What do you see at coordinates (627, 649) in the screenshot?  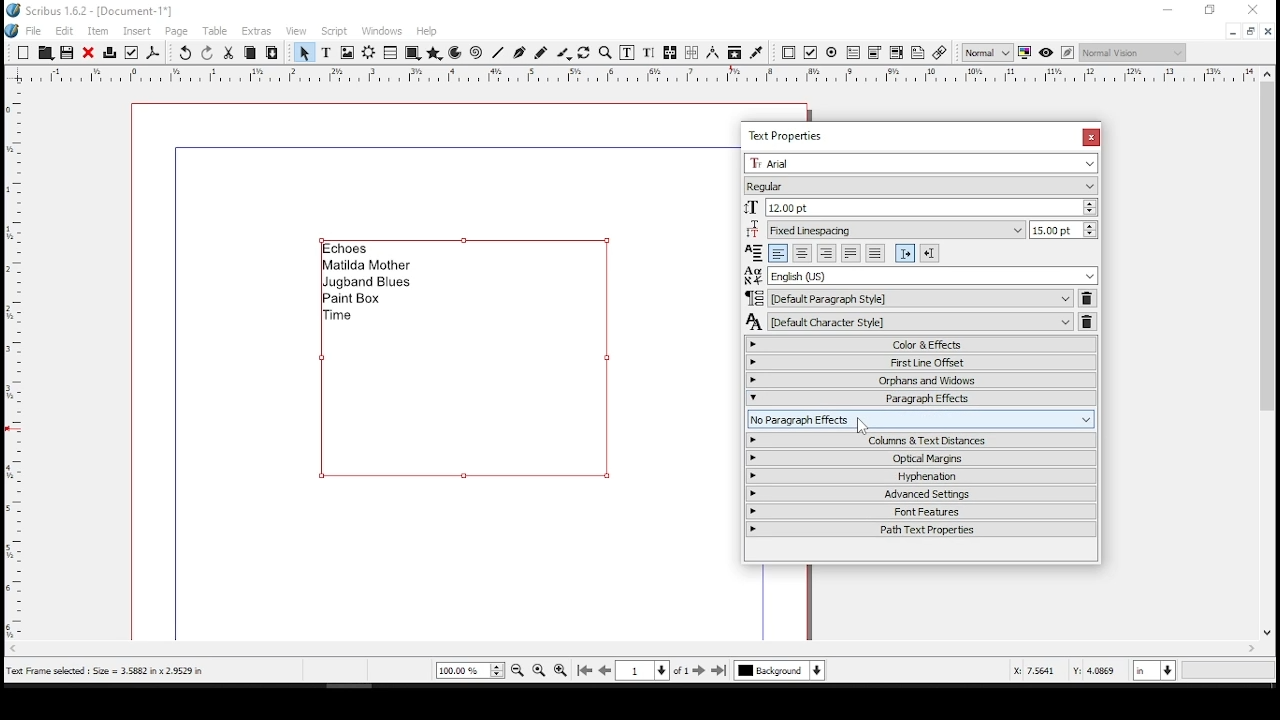 I see `scroll bar` at bounding box center [627, 649].